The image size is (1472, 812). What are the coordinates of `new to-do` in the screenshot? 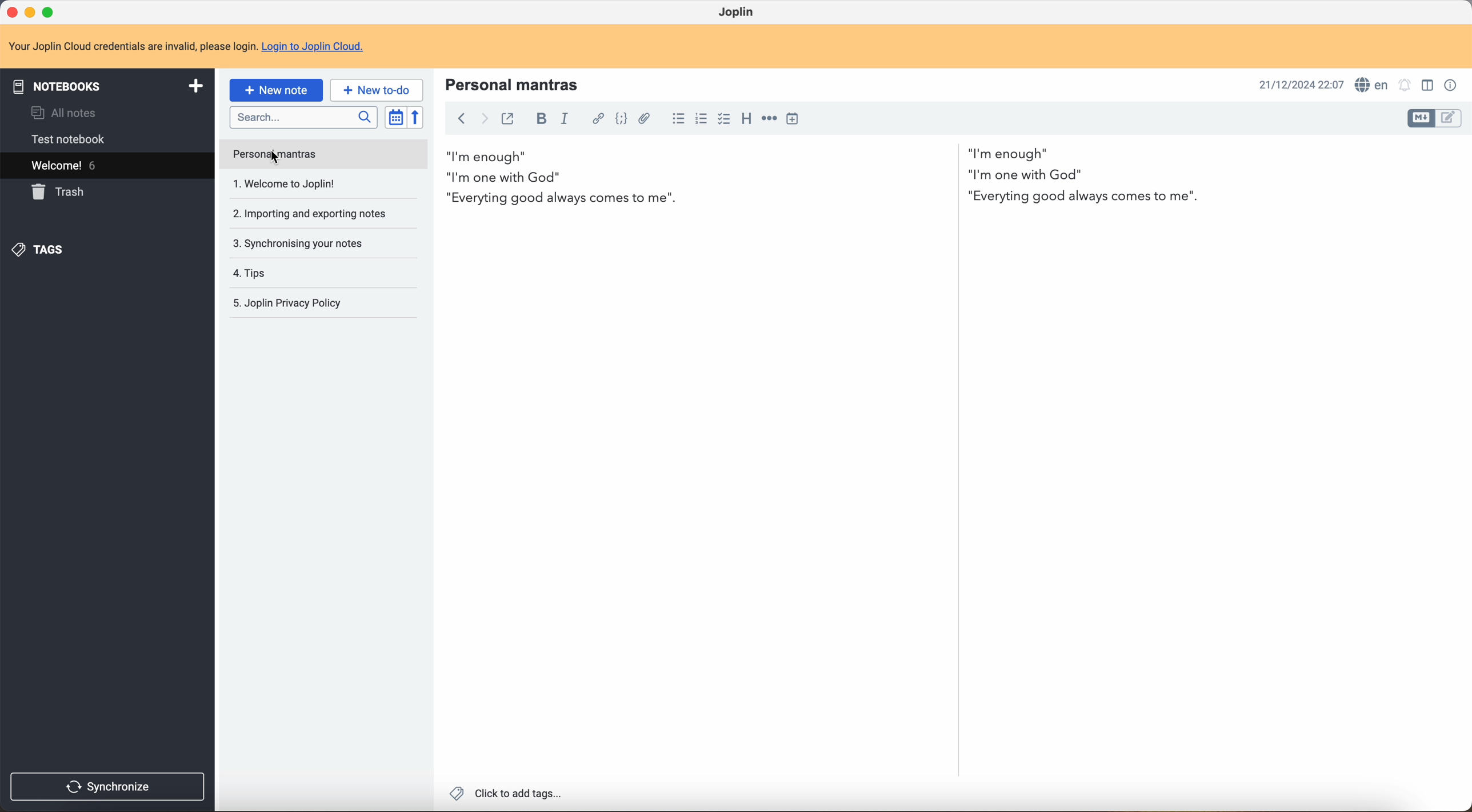 It's located at (376, 89).